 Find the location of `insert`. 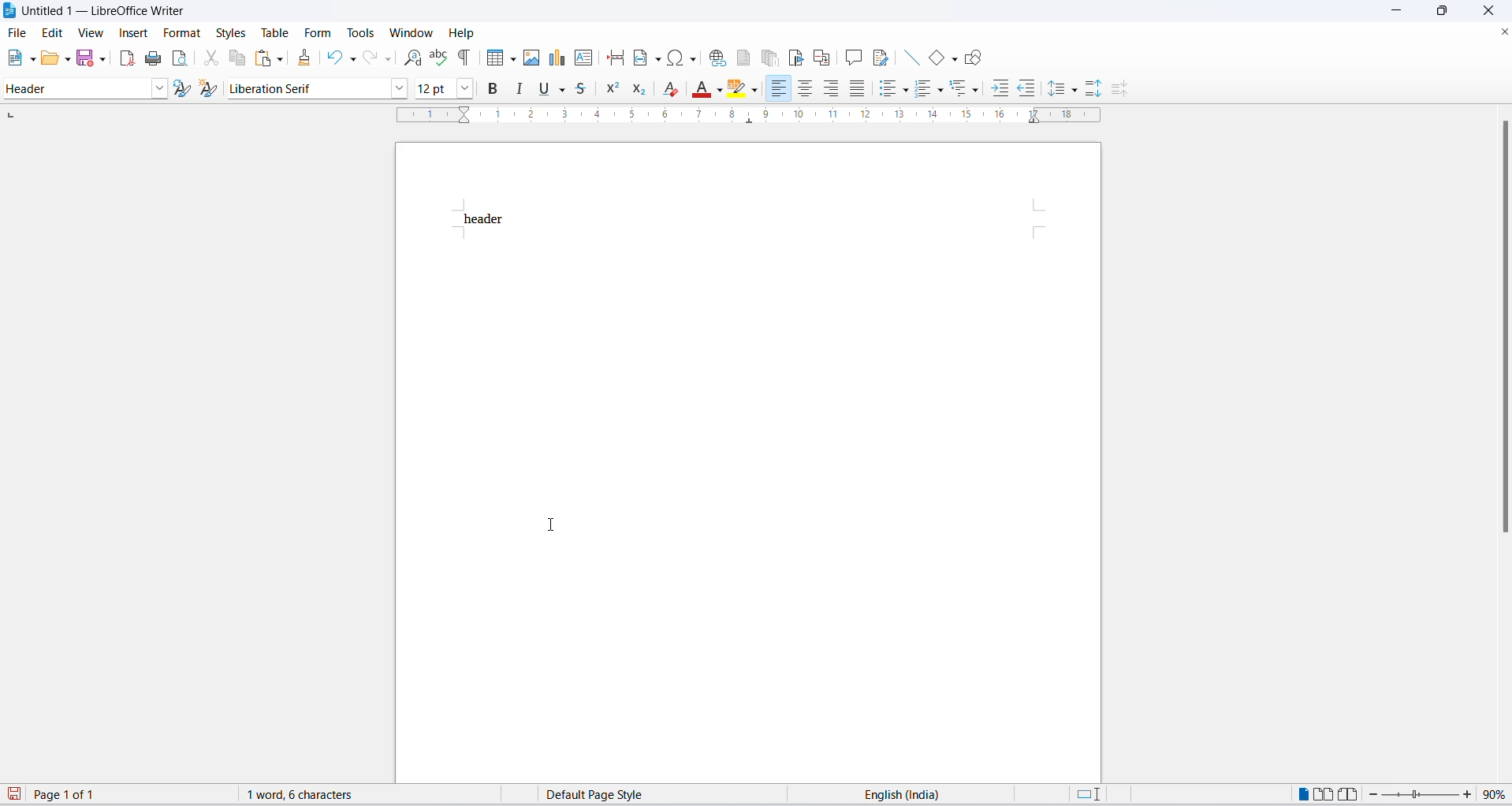

insert is located at coordinates (134, 32).